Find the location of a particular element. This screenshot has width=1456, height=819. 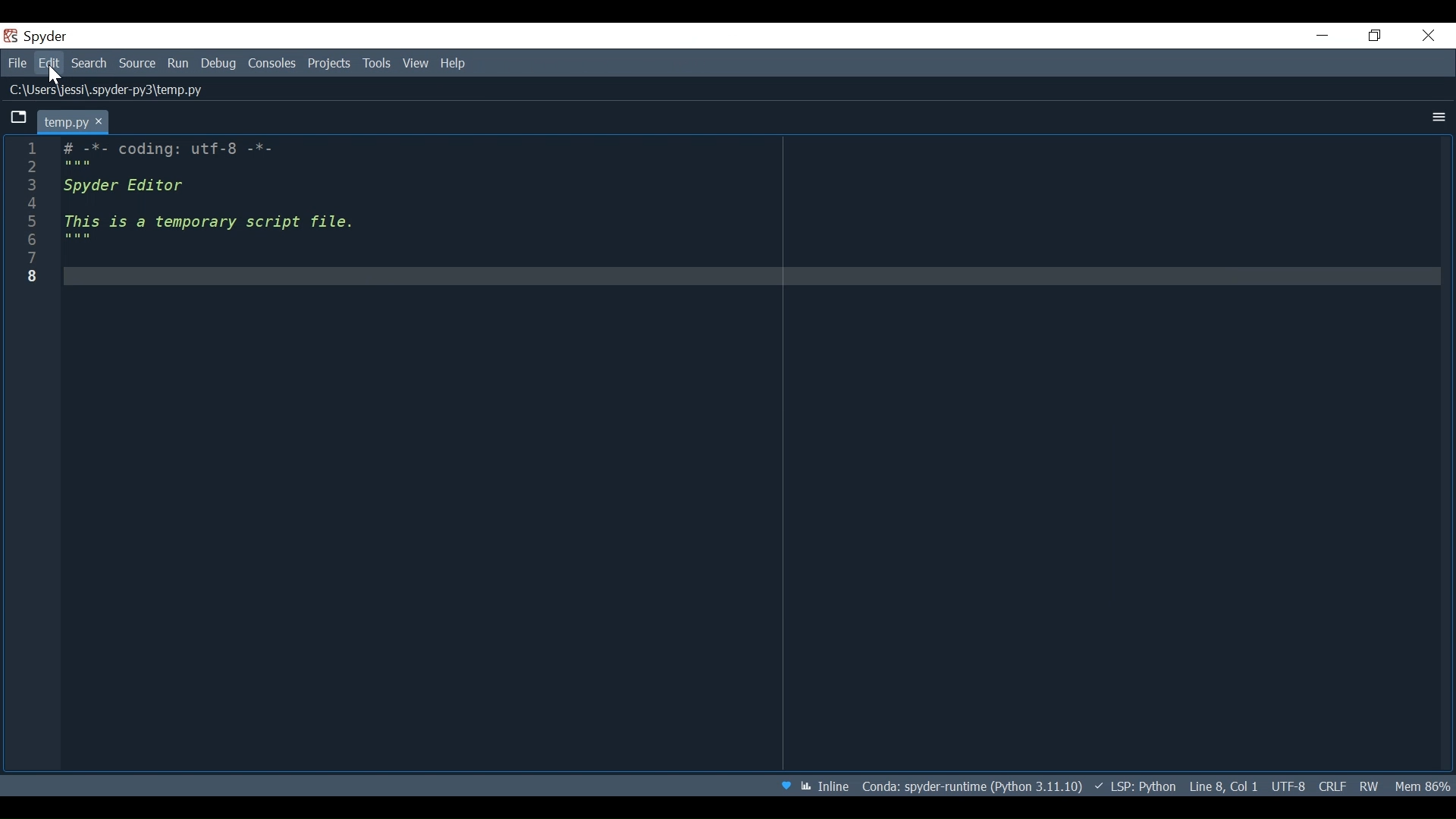

Tools is located at coordinates (377, 65).